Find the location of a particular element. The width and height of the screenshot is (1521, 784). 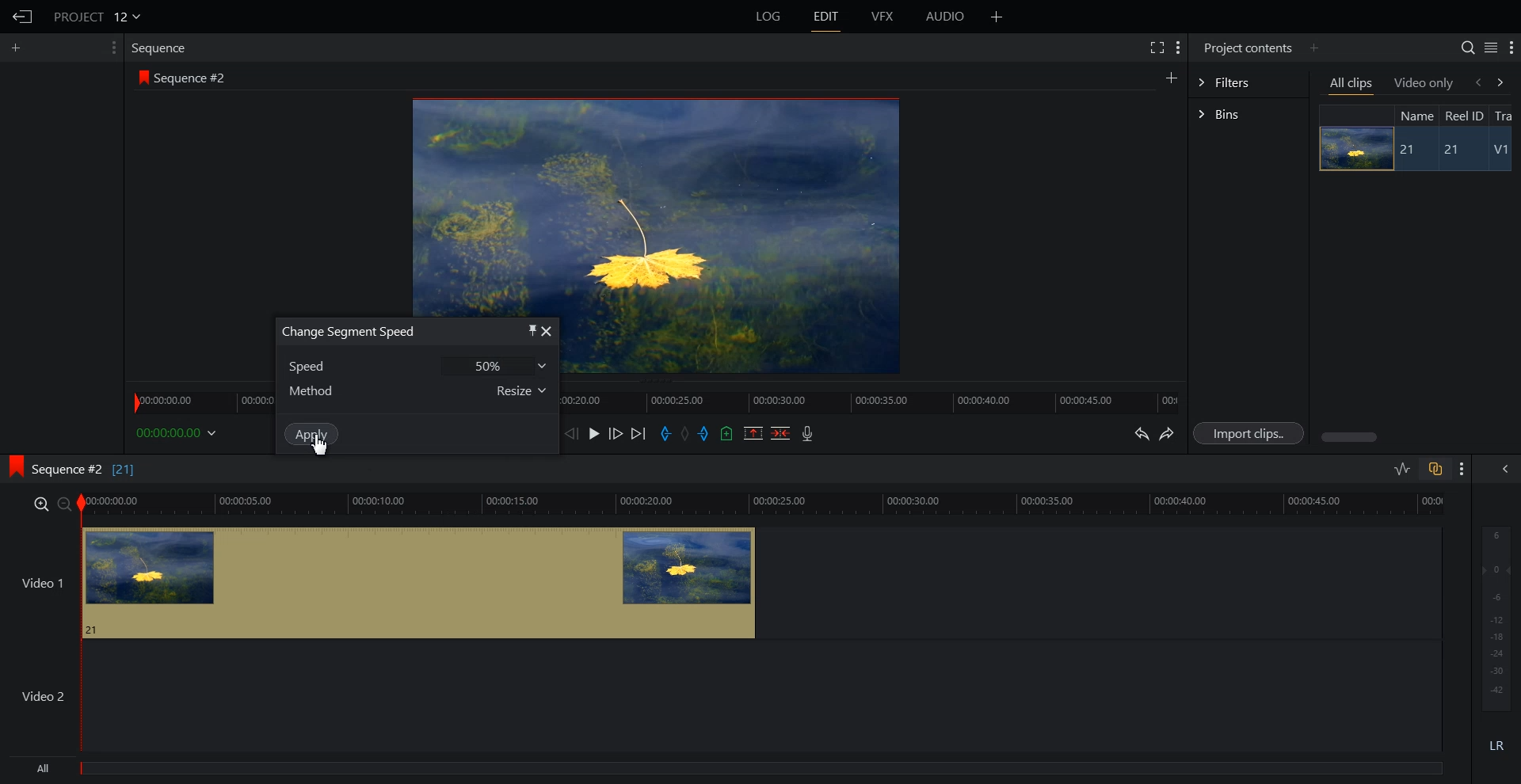

V1 is located at coordinates (1503, 151).